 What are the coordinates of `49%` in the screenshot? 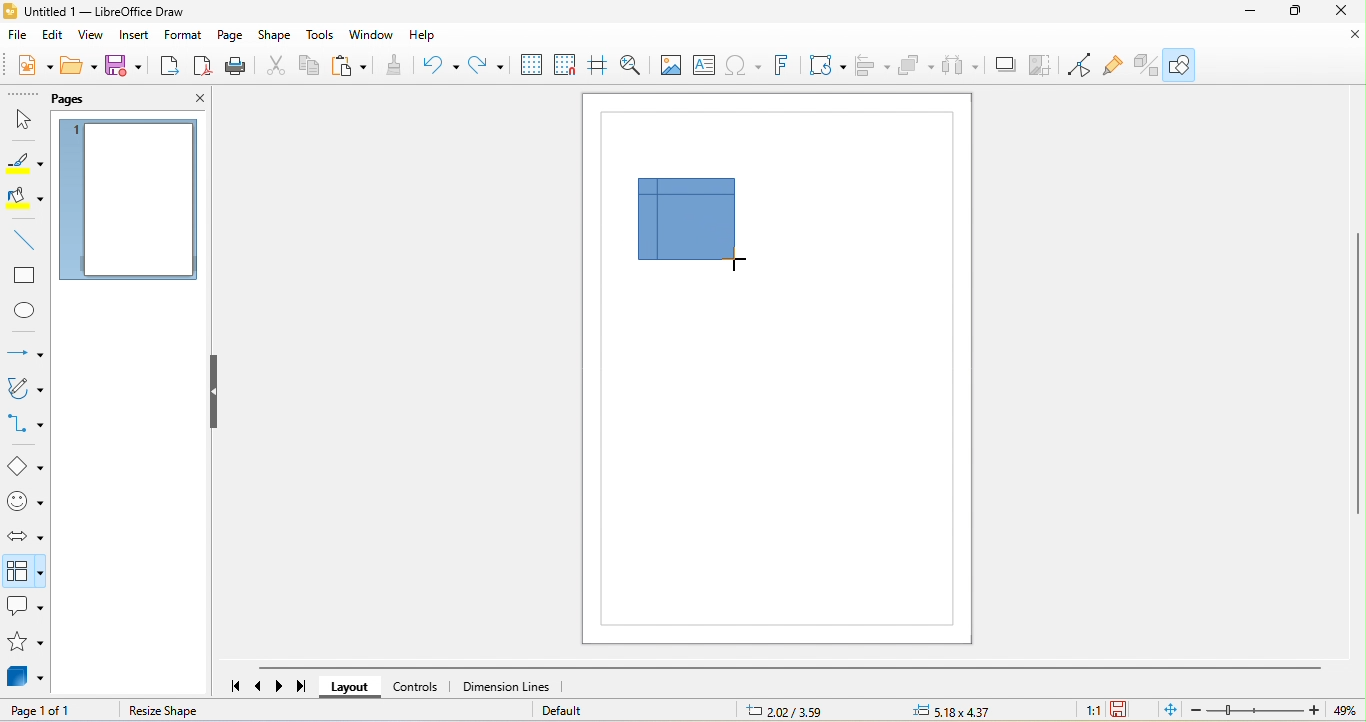 It's located at (1348, 711).